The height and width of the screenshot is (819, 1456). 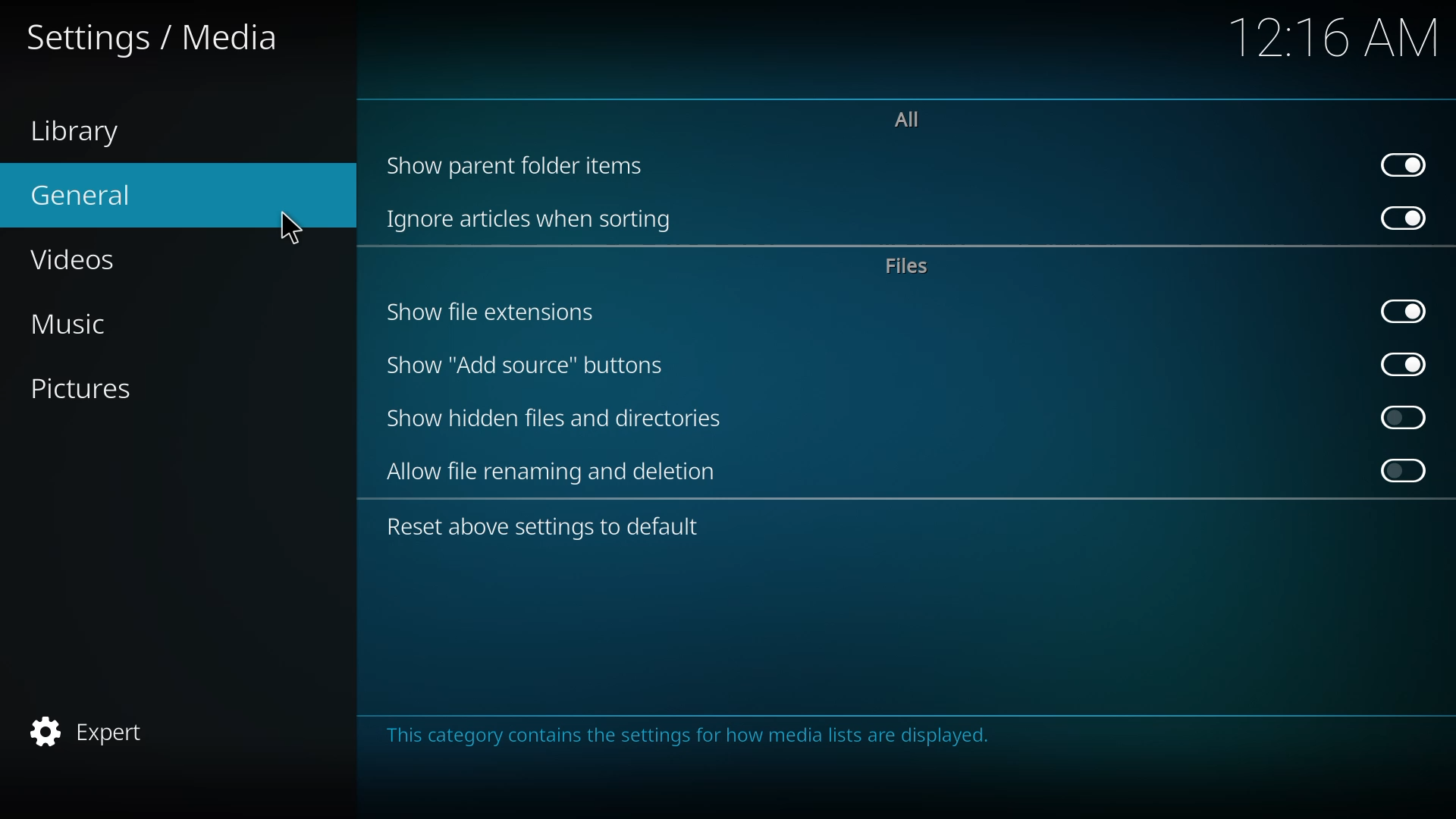 I want to click on ignore articles when sorting, so click(x=530, y=218).